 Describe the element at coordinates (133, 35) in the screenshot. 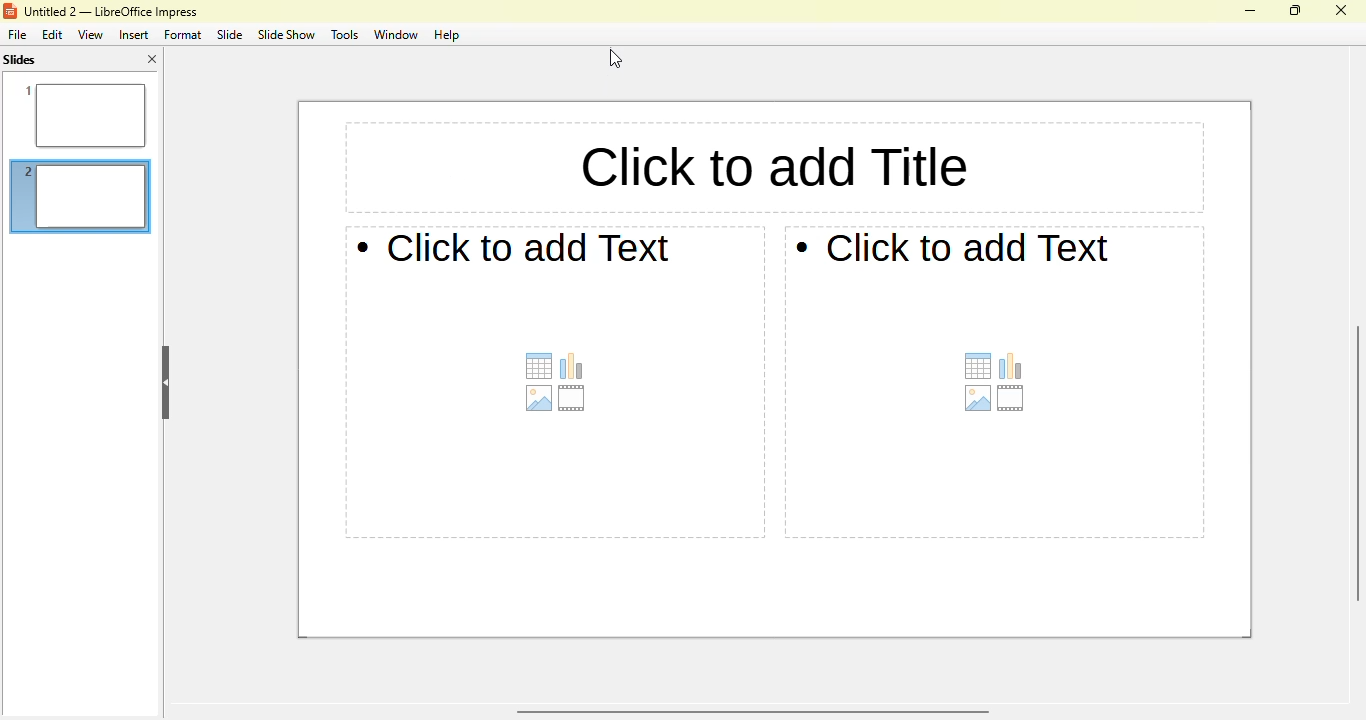

I see `insert` at that location.